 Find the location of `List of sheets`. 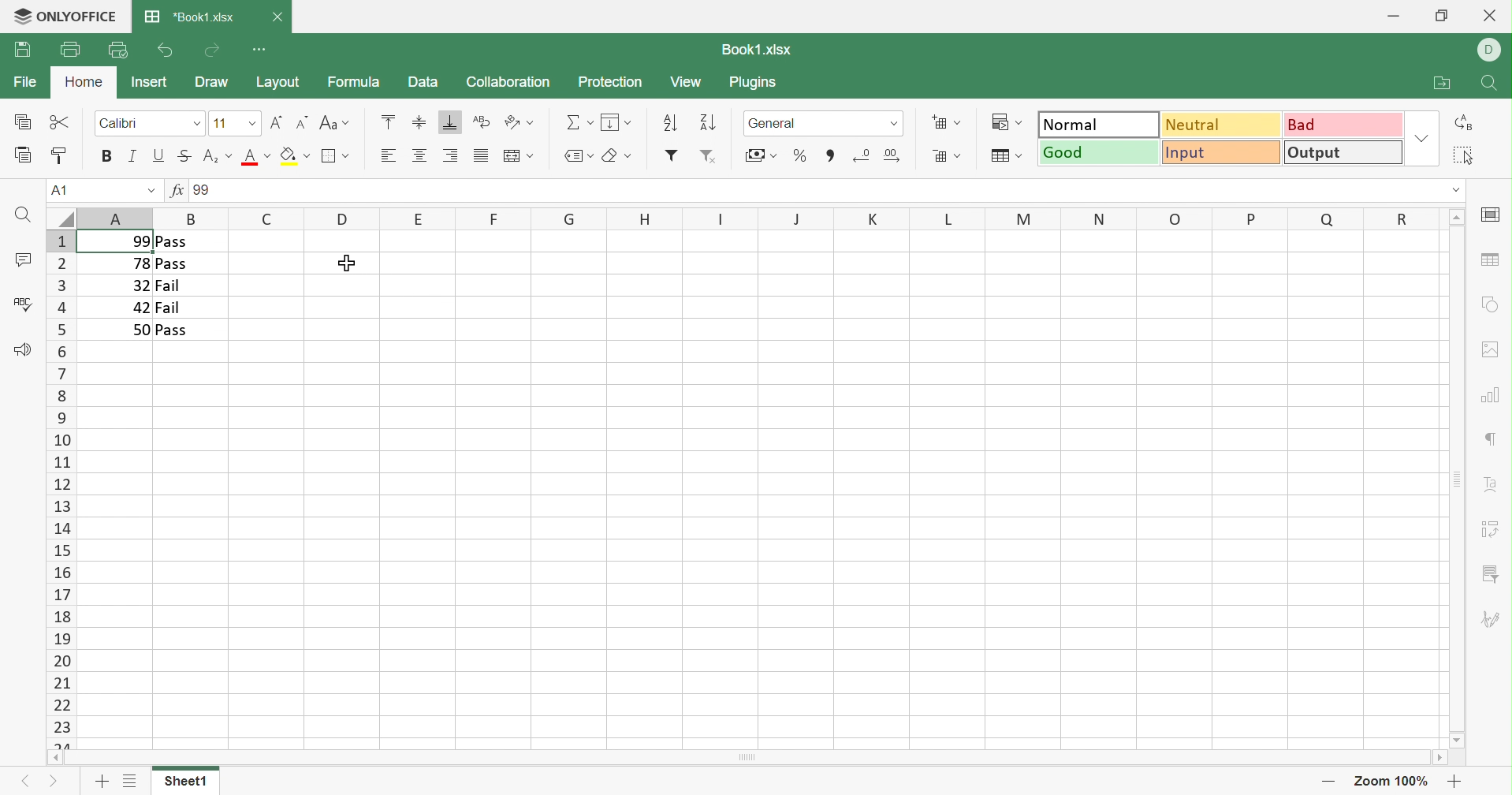

List of sheets is located at coordinates (128, 782).